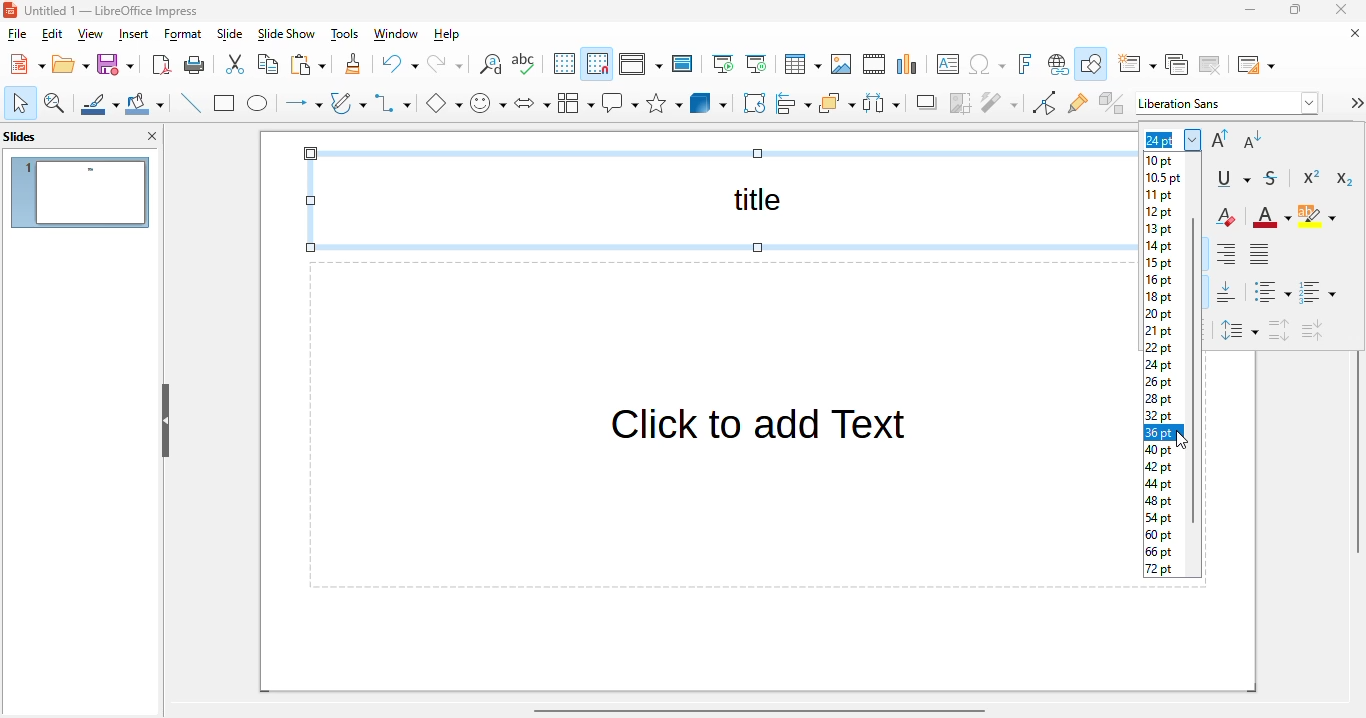 This screenshot has height=718, width=1366. What do you see at coordinates (195, 65) in the screenshot?
I see `print` at bounding box center [195, 65].